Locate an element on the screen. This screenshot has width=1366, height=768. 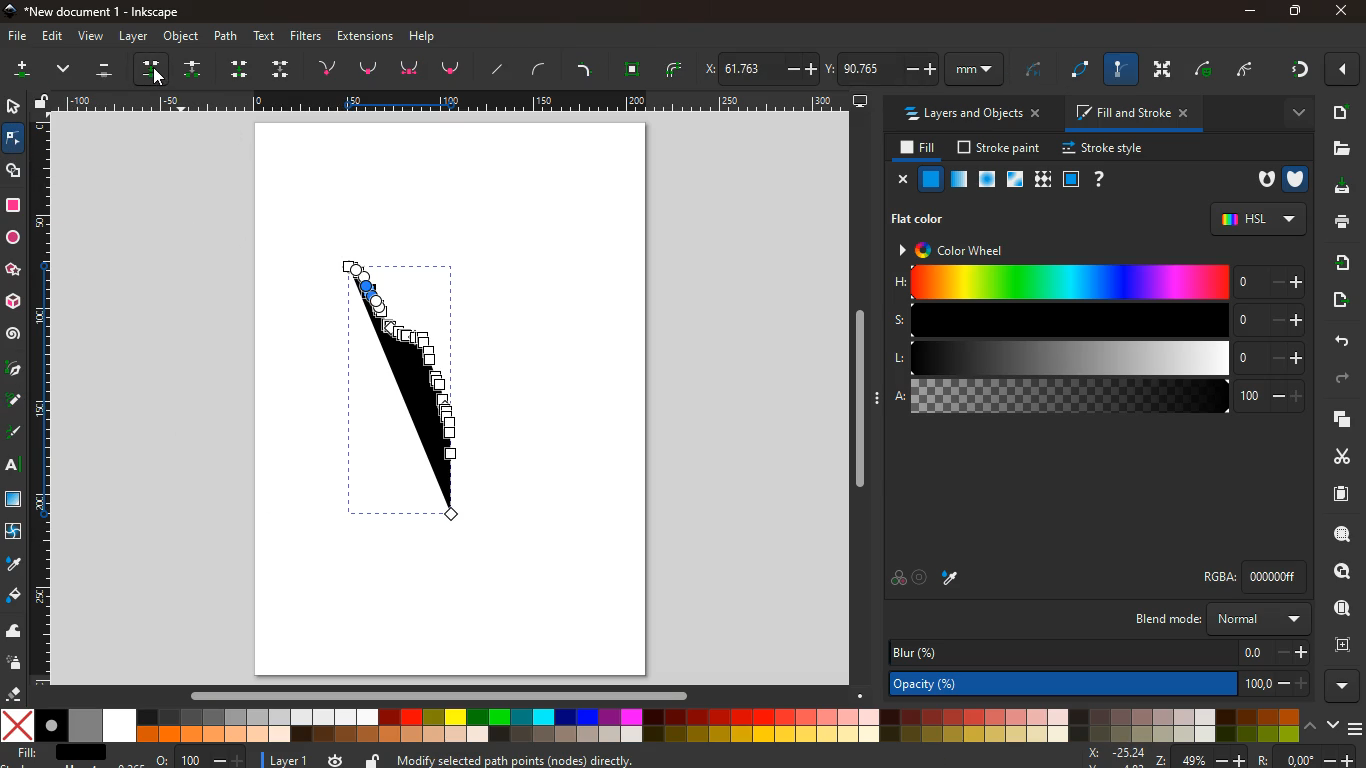
stroke style is located at coordinates (1106, 149).